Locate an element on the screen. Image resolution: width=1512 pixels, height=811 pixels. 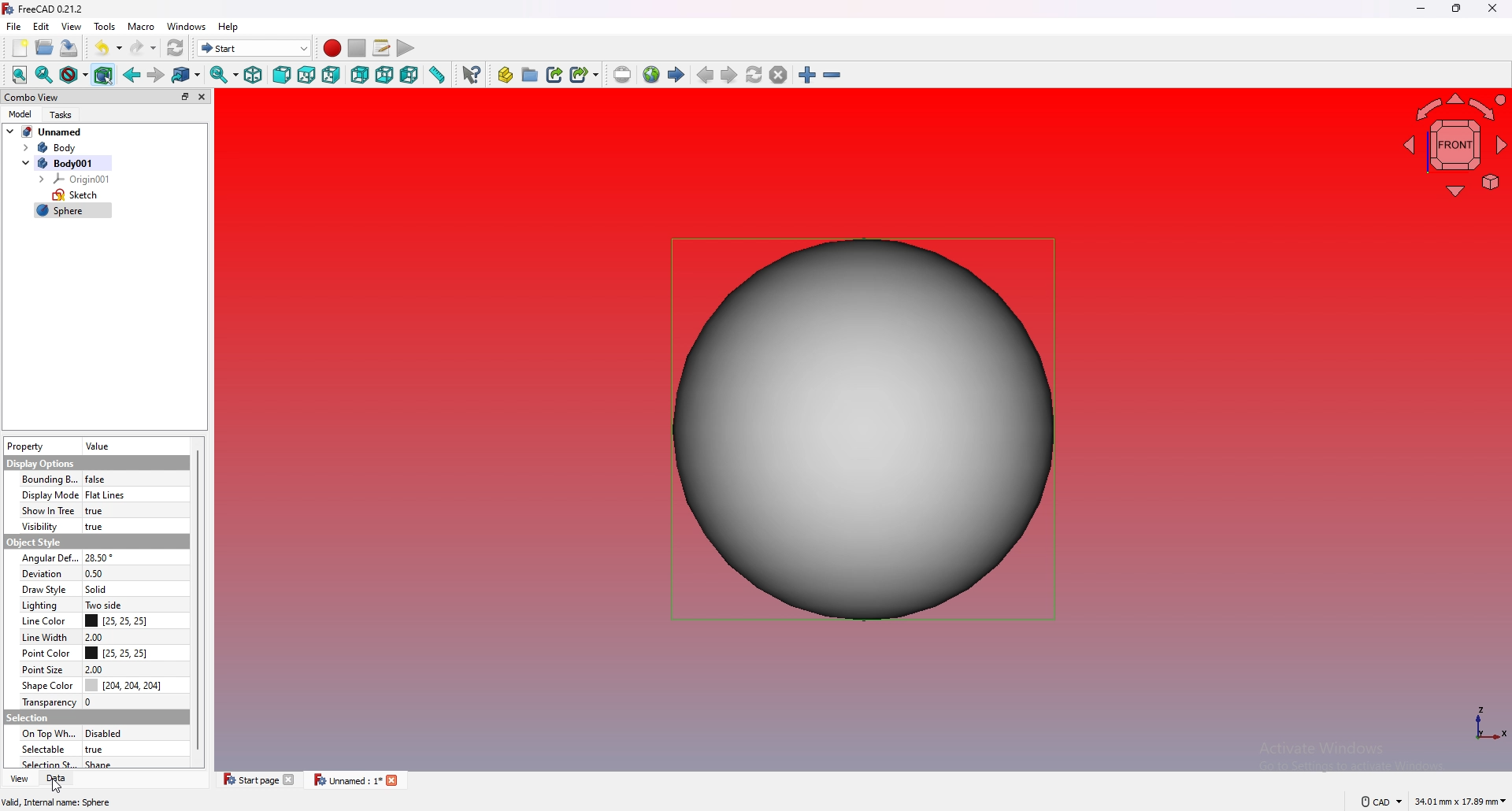
description is located at coordinates (57, 803).